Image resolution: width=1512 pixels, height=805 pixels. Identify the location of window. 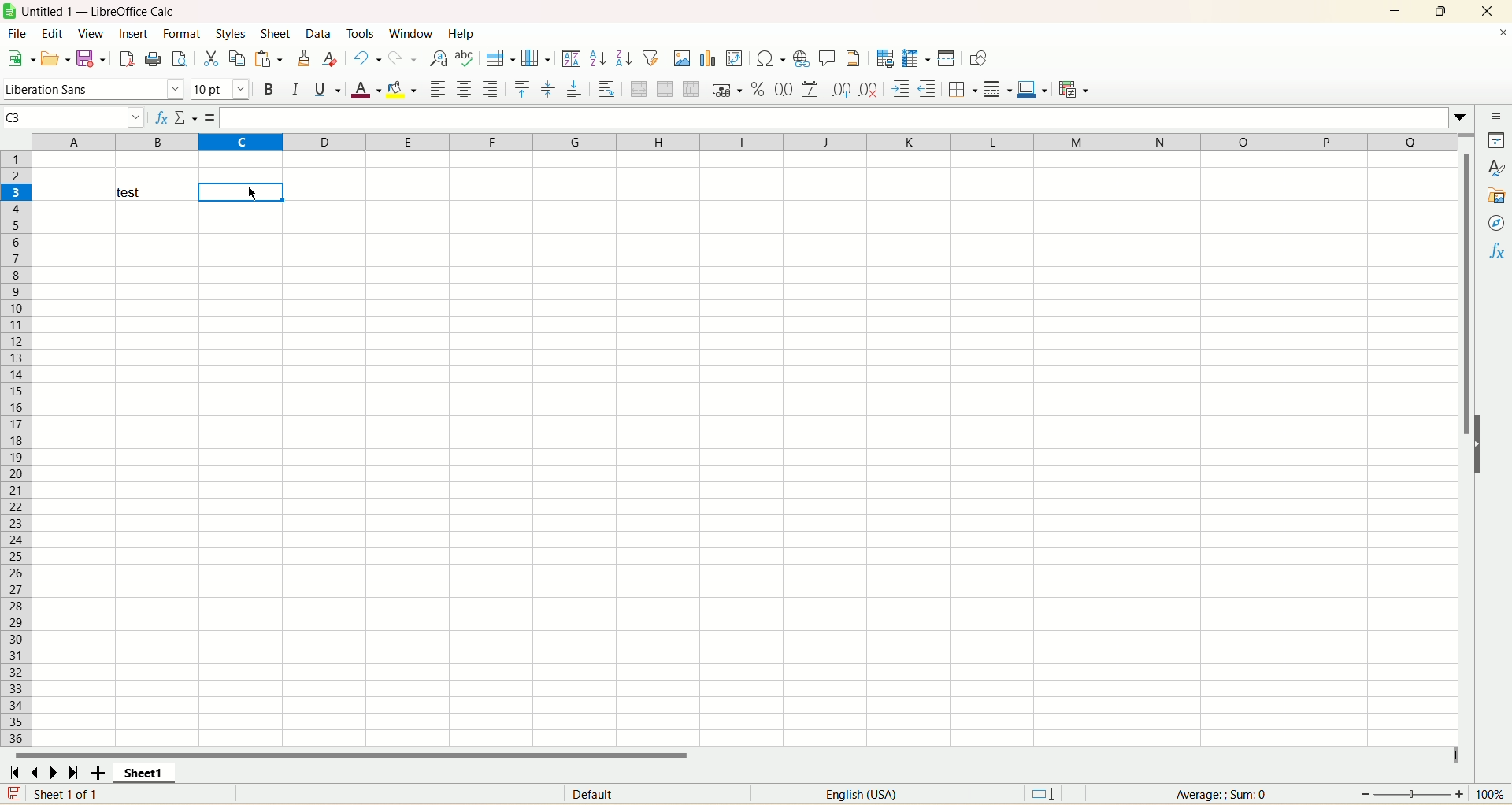
(414, 33).